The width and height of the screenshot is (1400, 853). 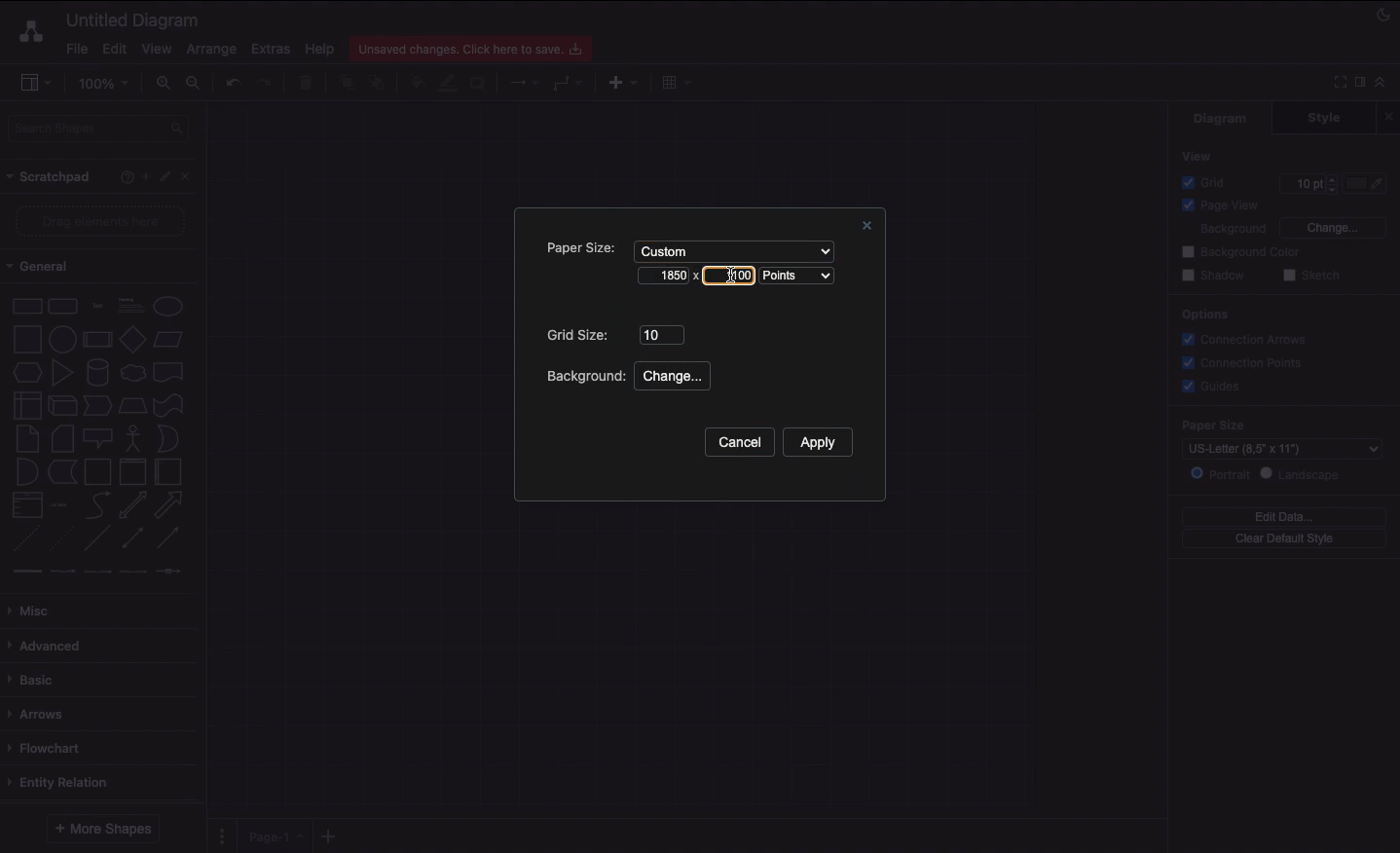 What do you see at coordinates (1283, 539) in the screenshot?
I see `Clear default style` at bounding box center [1283, 539].